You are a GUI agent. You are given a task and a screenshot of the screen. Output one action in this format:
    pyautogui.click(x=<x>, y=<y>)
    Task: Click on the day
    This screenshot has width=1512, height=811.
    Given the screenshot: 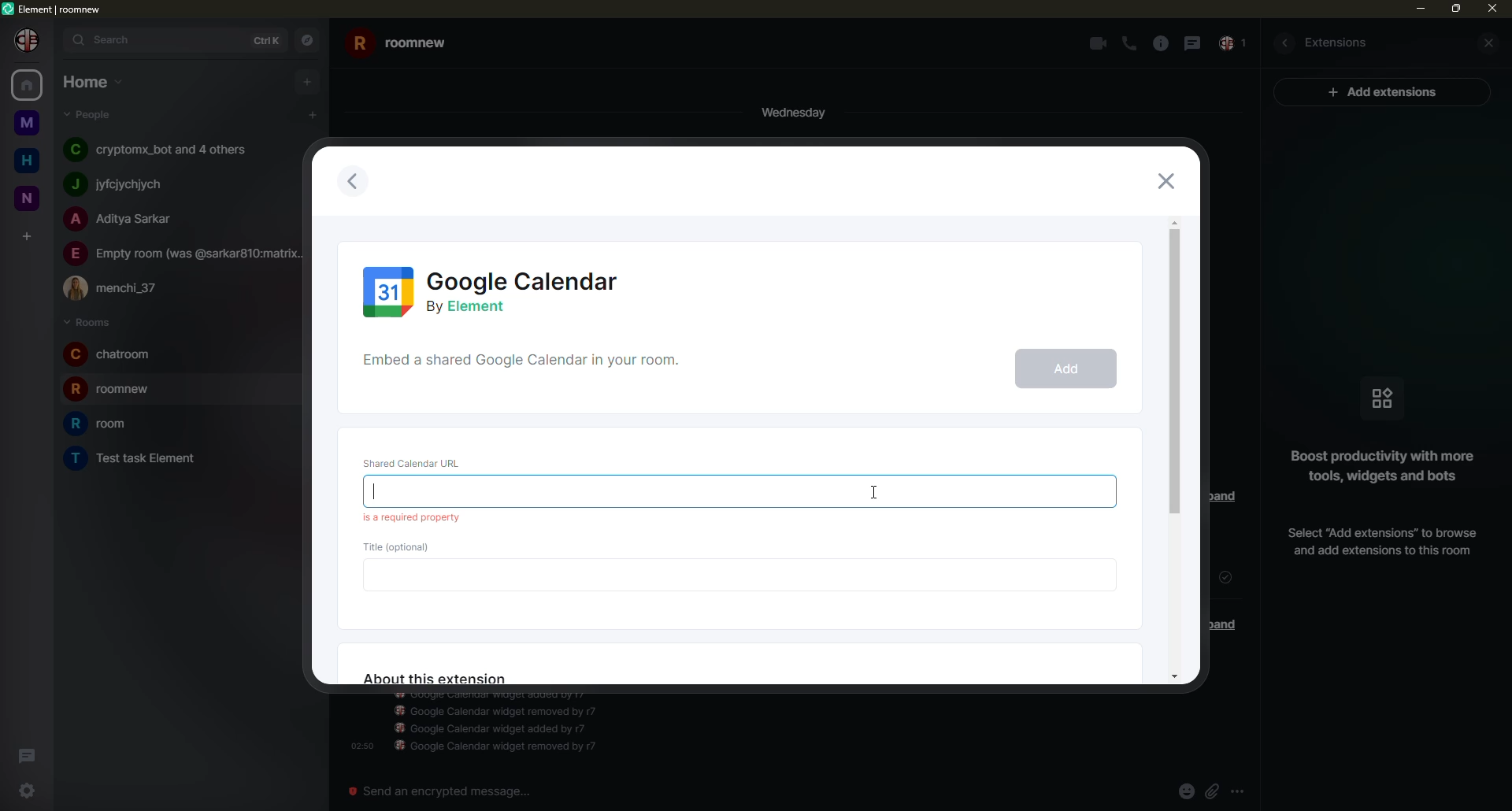 What is the action you would take?
    pyautogui.click(x=787, y=111)
    